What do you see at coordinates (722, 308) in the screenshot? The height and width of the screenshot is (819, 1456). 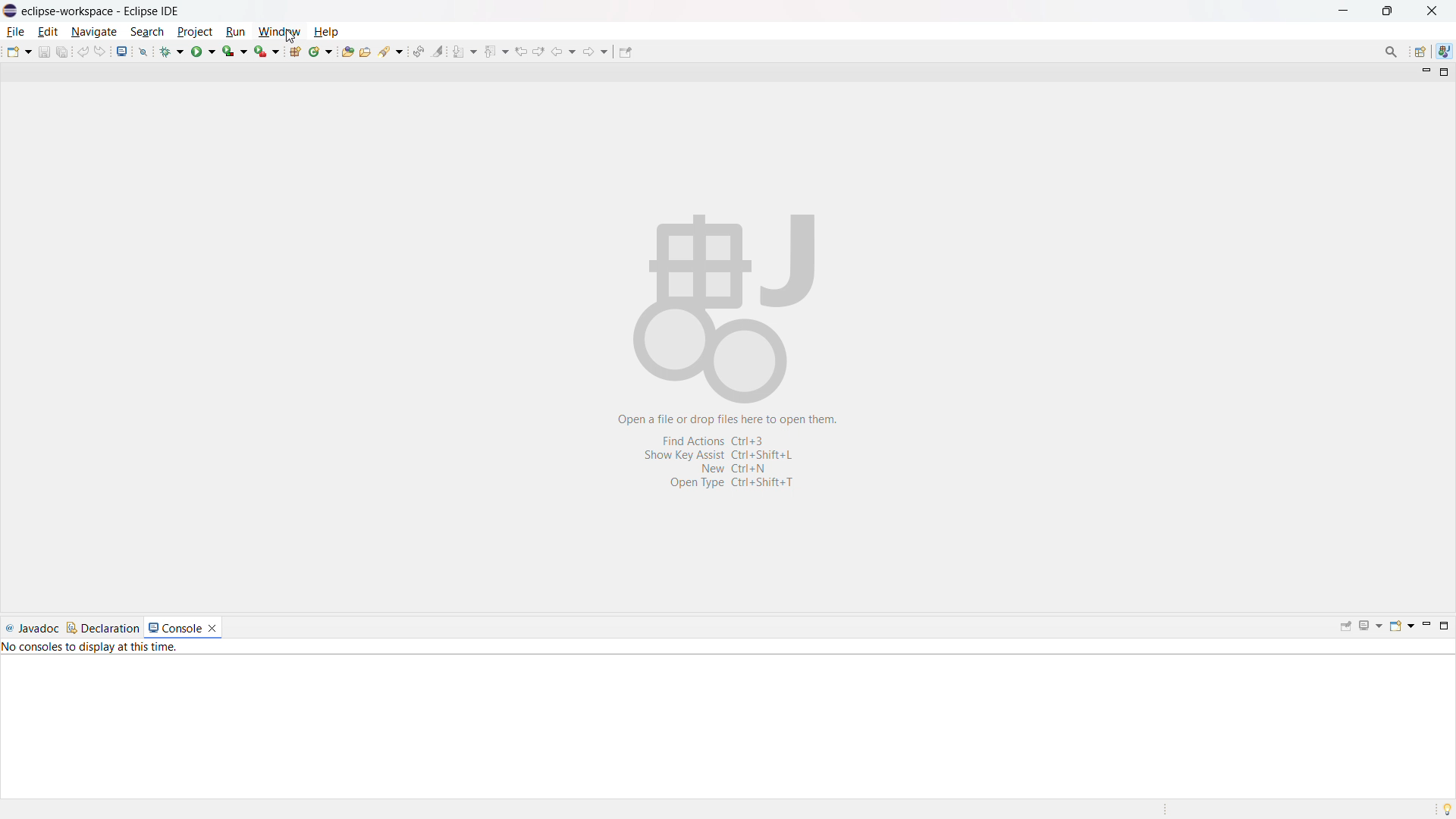 I see `IDE Welcome Screen Icon` at bounding box center [722, 308].